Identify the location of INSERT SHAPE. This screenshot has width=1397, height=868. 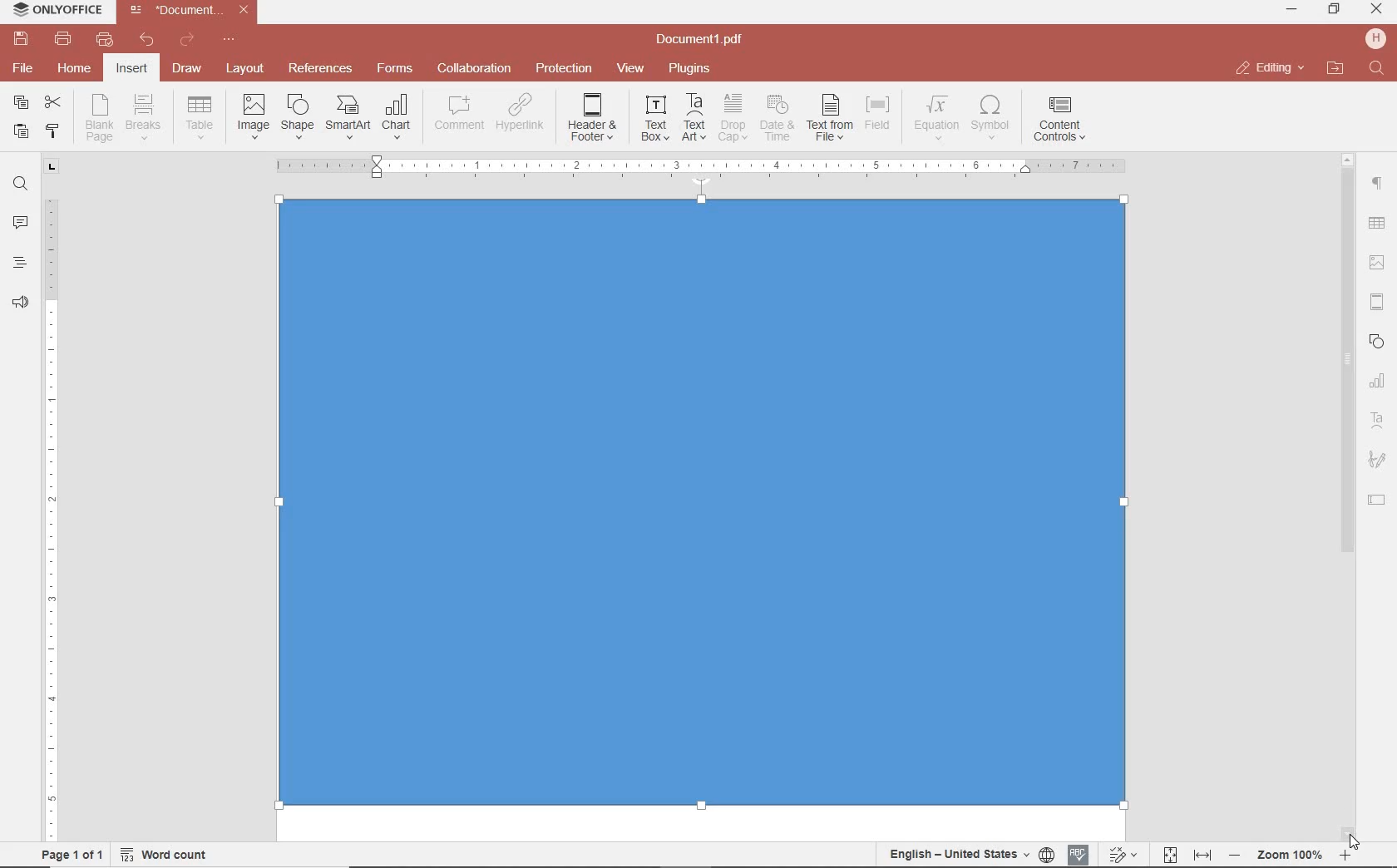
(296, 116).